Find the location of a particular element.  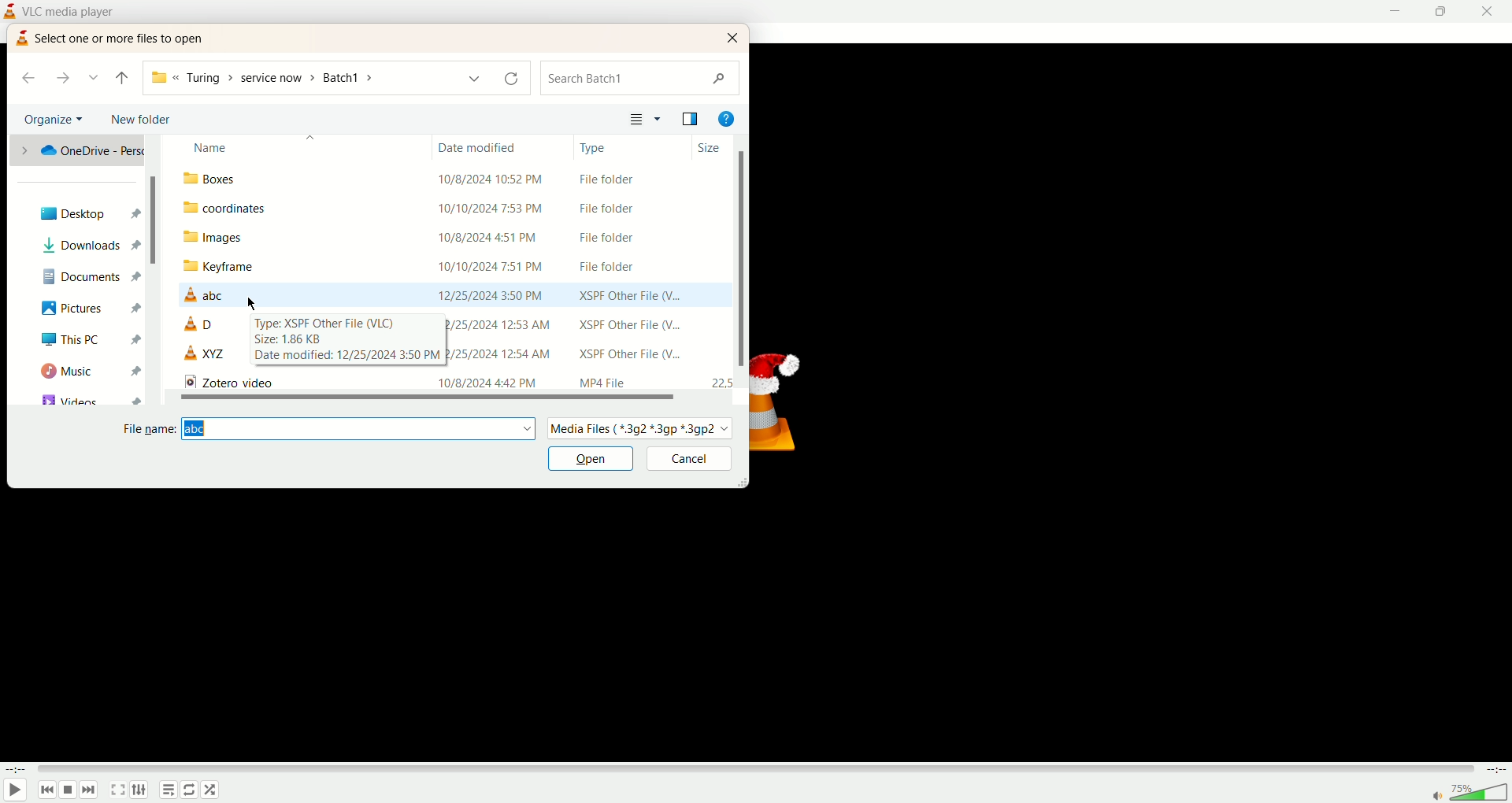

close is located at coordinates (1492, 12).